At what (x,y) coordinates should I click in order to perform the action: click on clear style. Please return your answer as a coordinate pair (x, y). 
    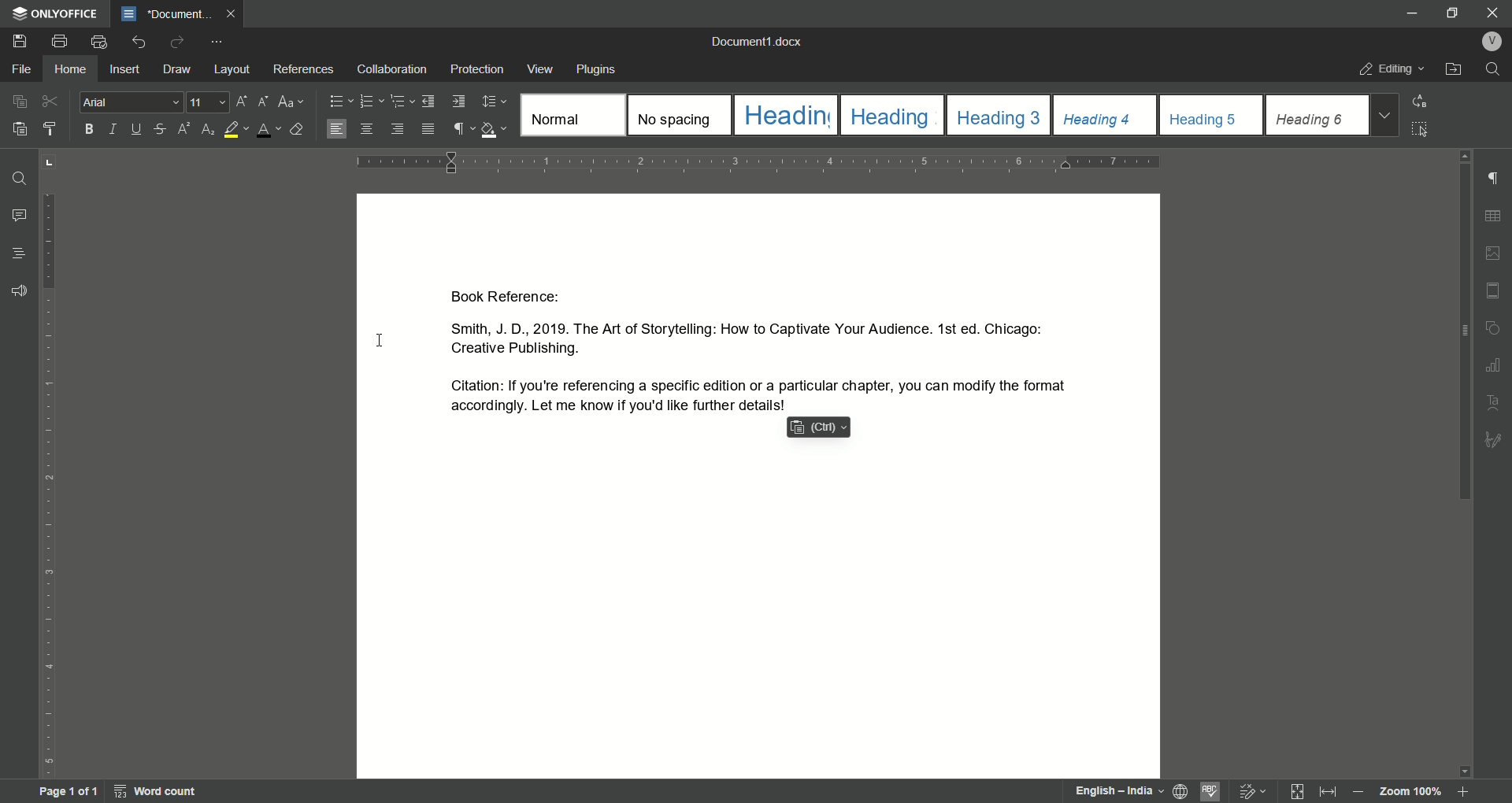
    Looking at the image, I should click on (299, 129).